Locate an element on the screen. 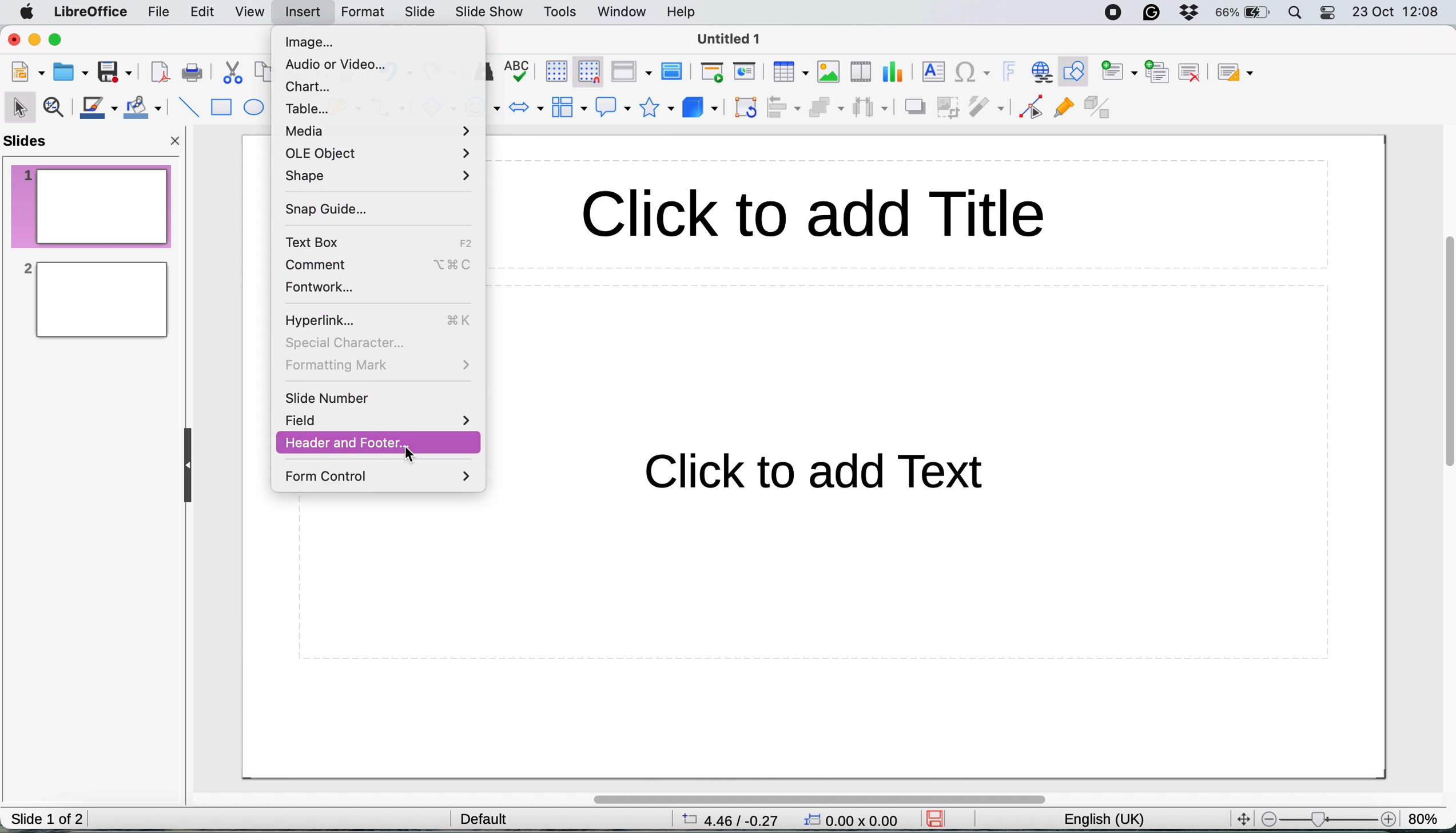  show gluepoint functions is located at coordinates (1063, 110).